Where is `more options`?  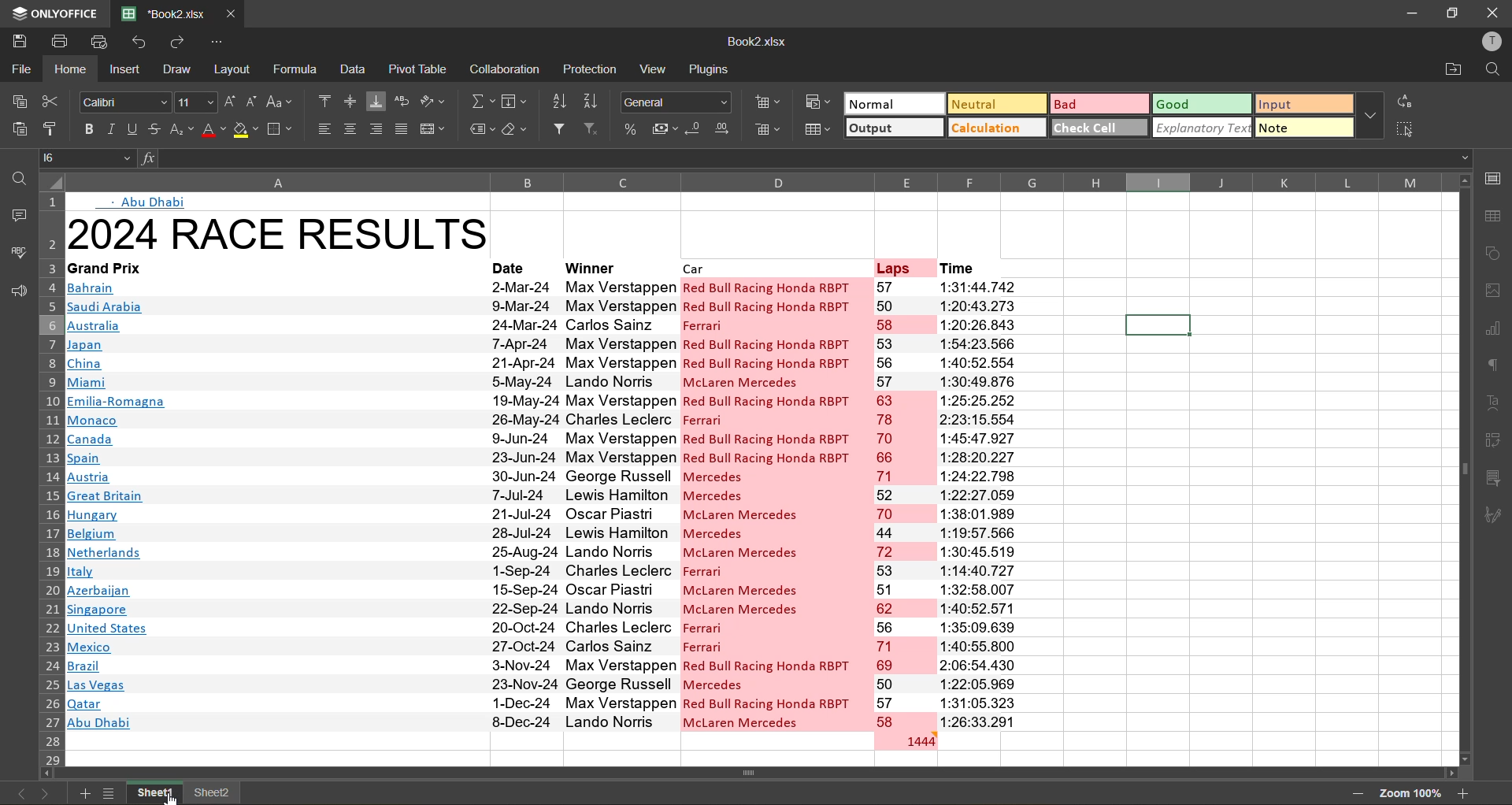 more options is located at coordinates (1371, 113).